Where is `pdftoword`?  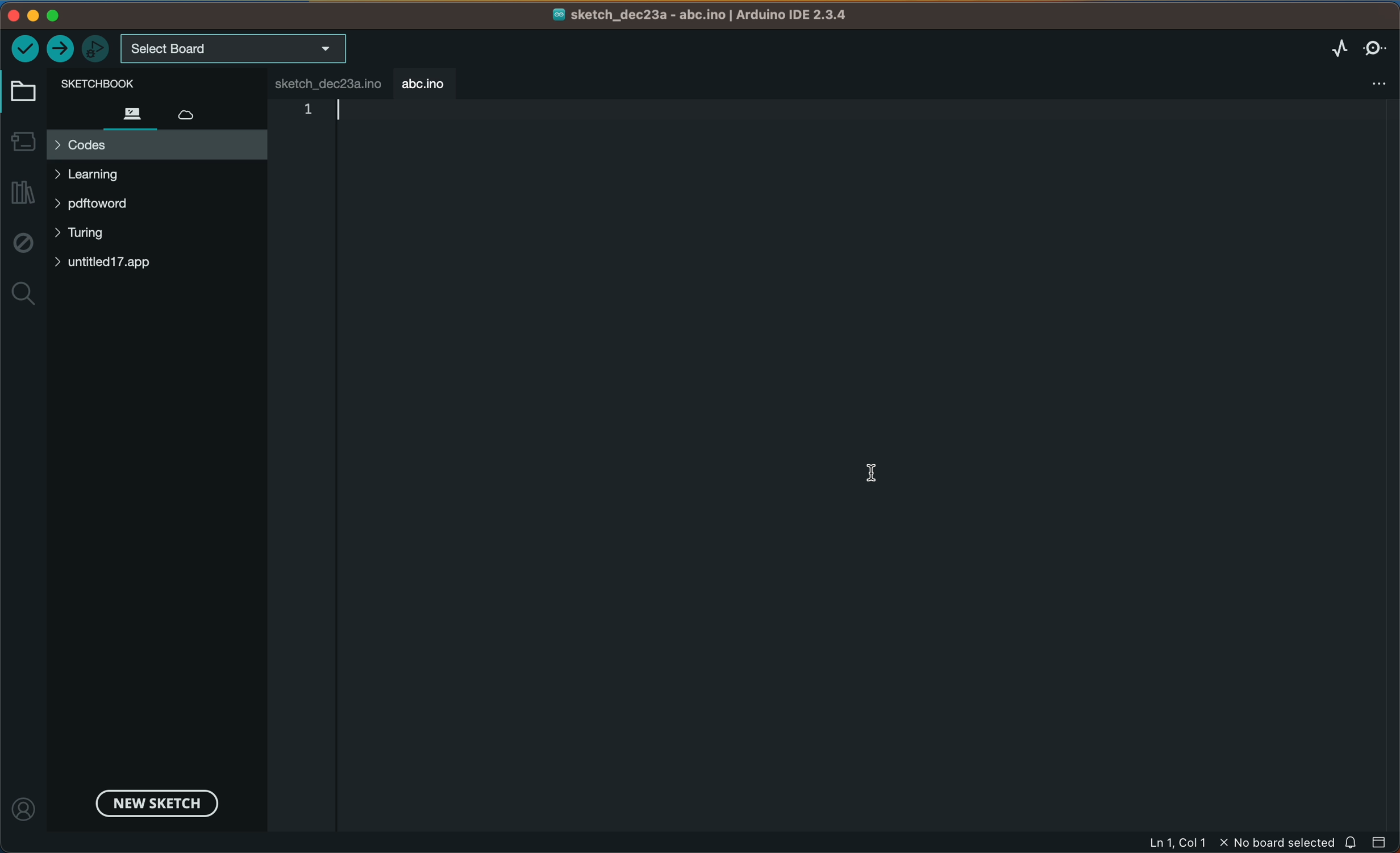
pdftoword is located at coordinates (111, 206).